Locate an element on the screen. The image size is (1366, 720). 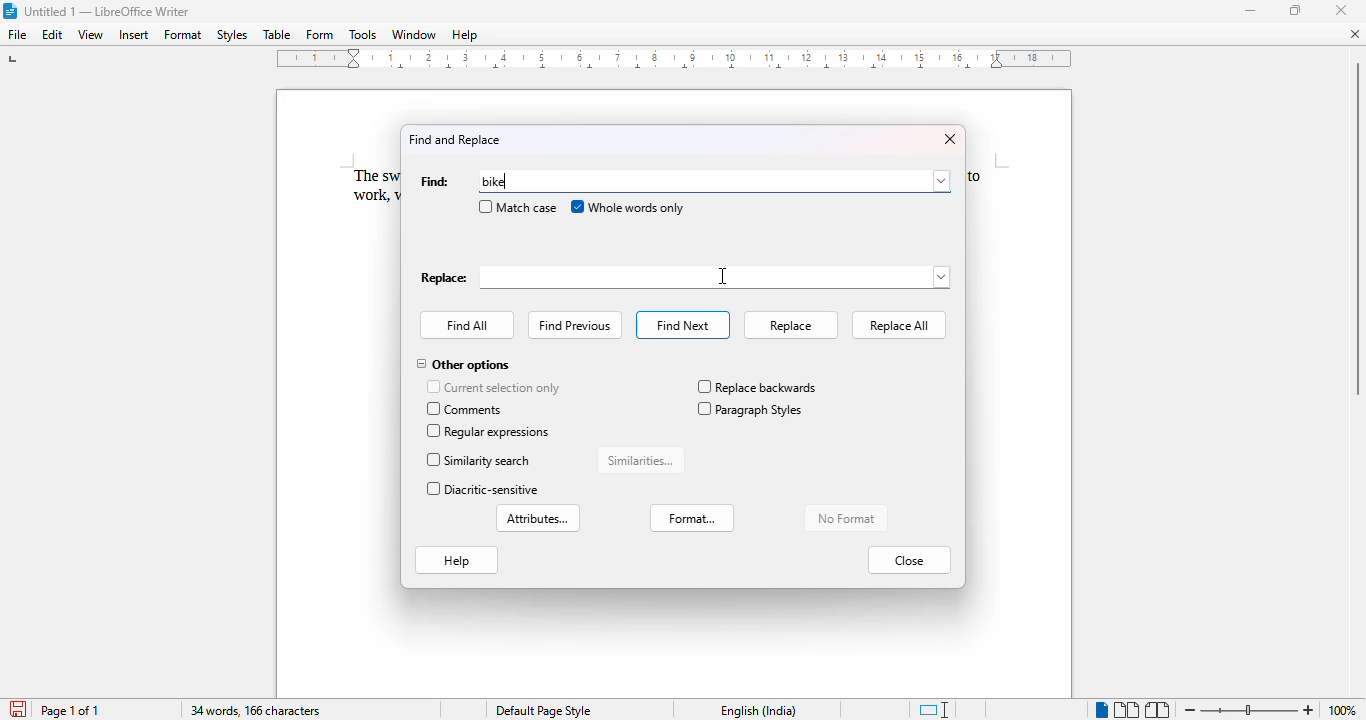
zoom out is located at coordinates (1188, 708).